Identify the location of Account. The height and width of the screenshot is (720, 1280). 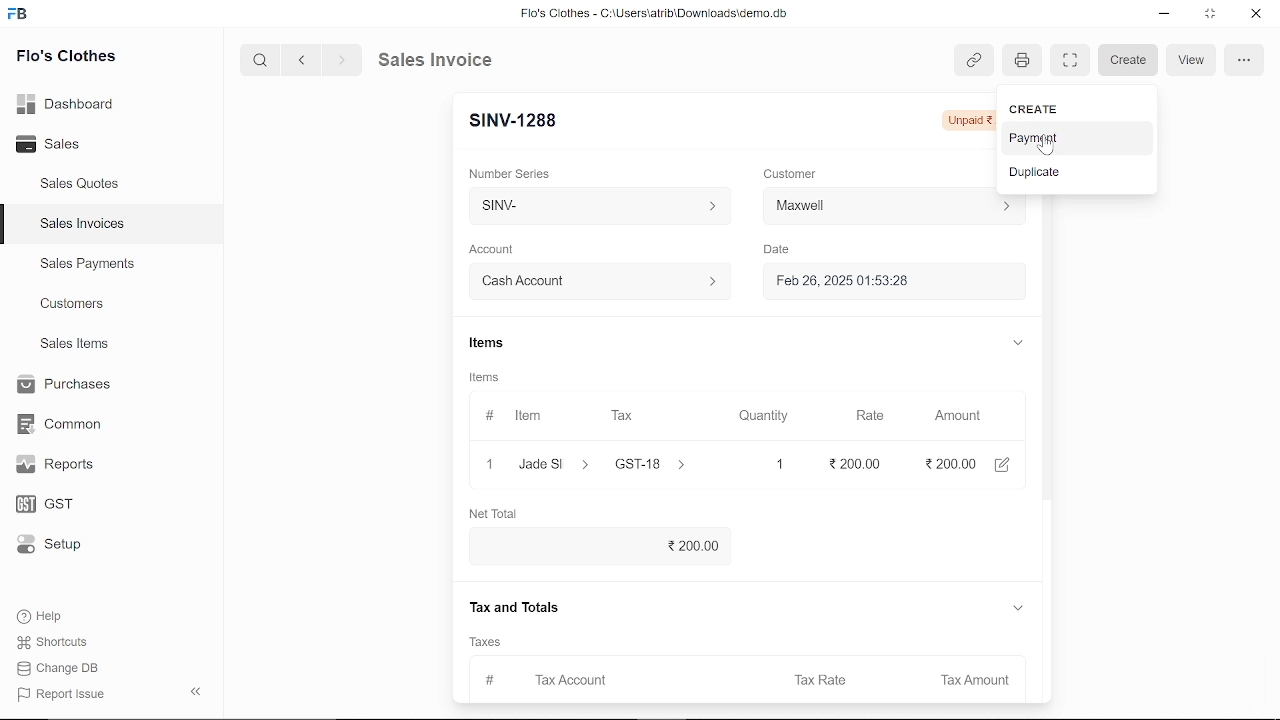
(497, 250).